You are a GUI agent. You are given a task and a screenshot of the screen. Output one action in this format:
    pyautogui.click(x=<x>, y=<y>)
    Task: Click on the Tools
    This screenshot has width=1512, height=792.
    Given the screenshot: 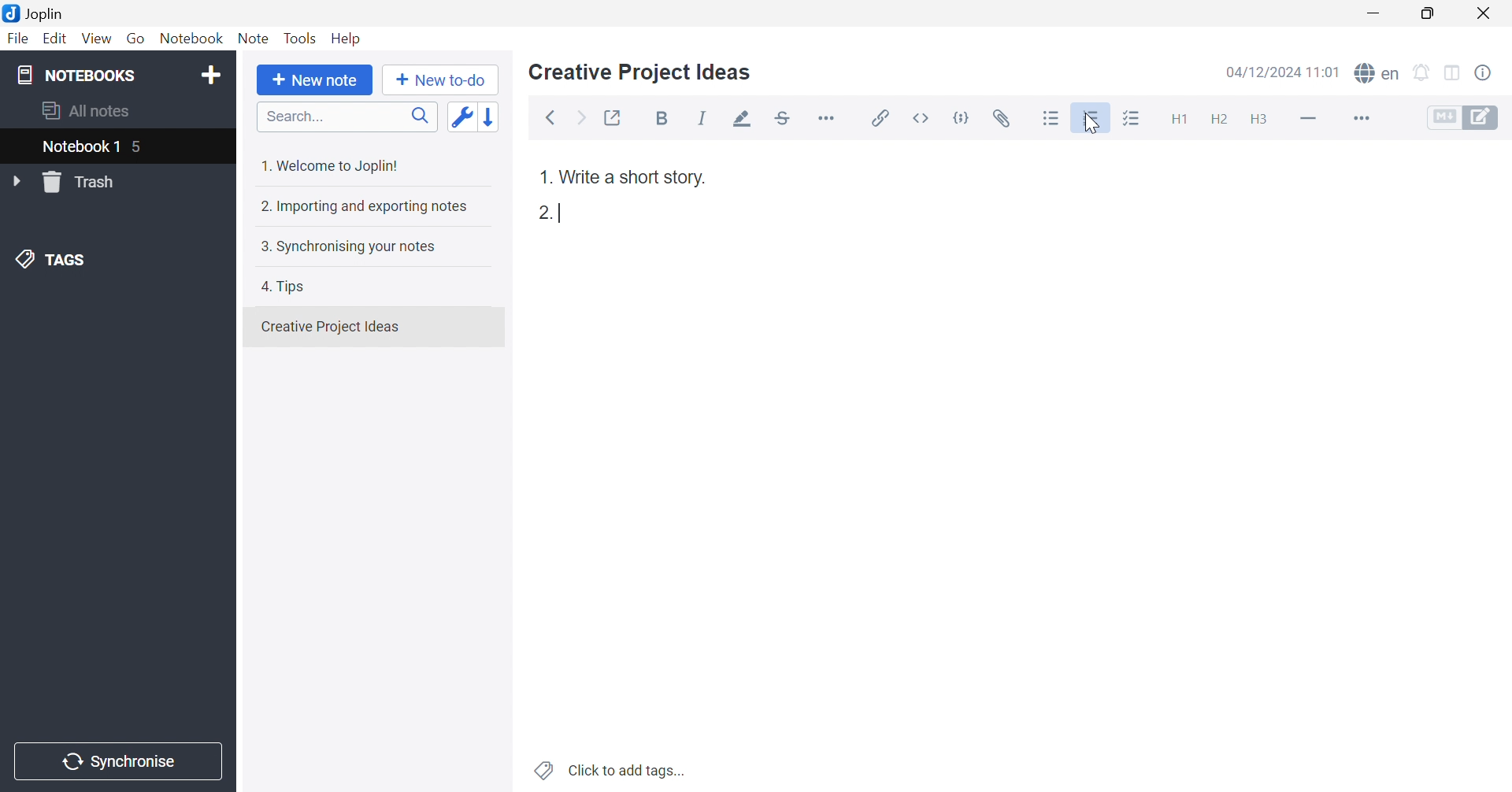 What is the action you would take?
    pyautogui.click(x=302, y=37)
    